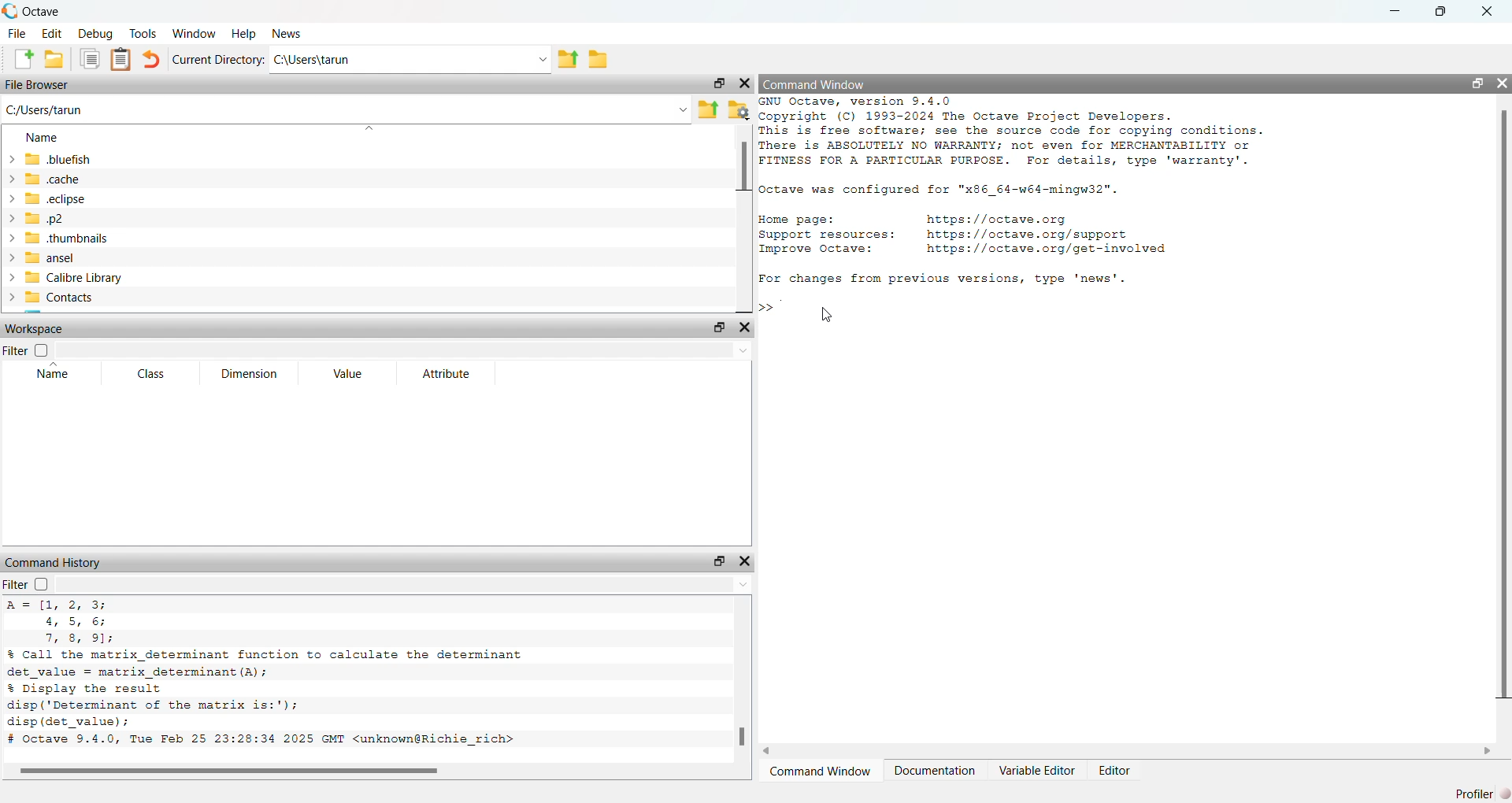  Describe the element at coordinates (35, 330) in the screenshot. I see `workspace` at that location.